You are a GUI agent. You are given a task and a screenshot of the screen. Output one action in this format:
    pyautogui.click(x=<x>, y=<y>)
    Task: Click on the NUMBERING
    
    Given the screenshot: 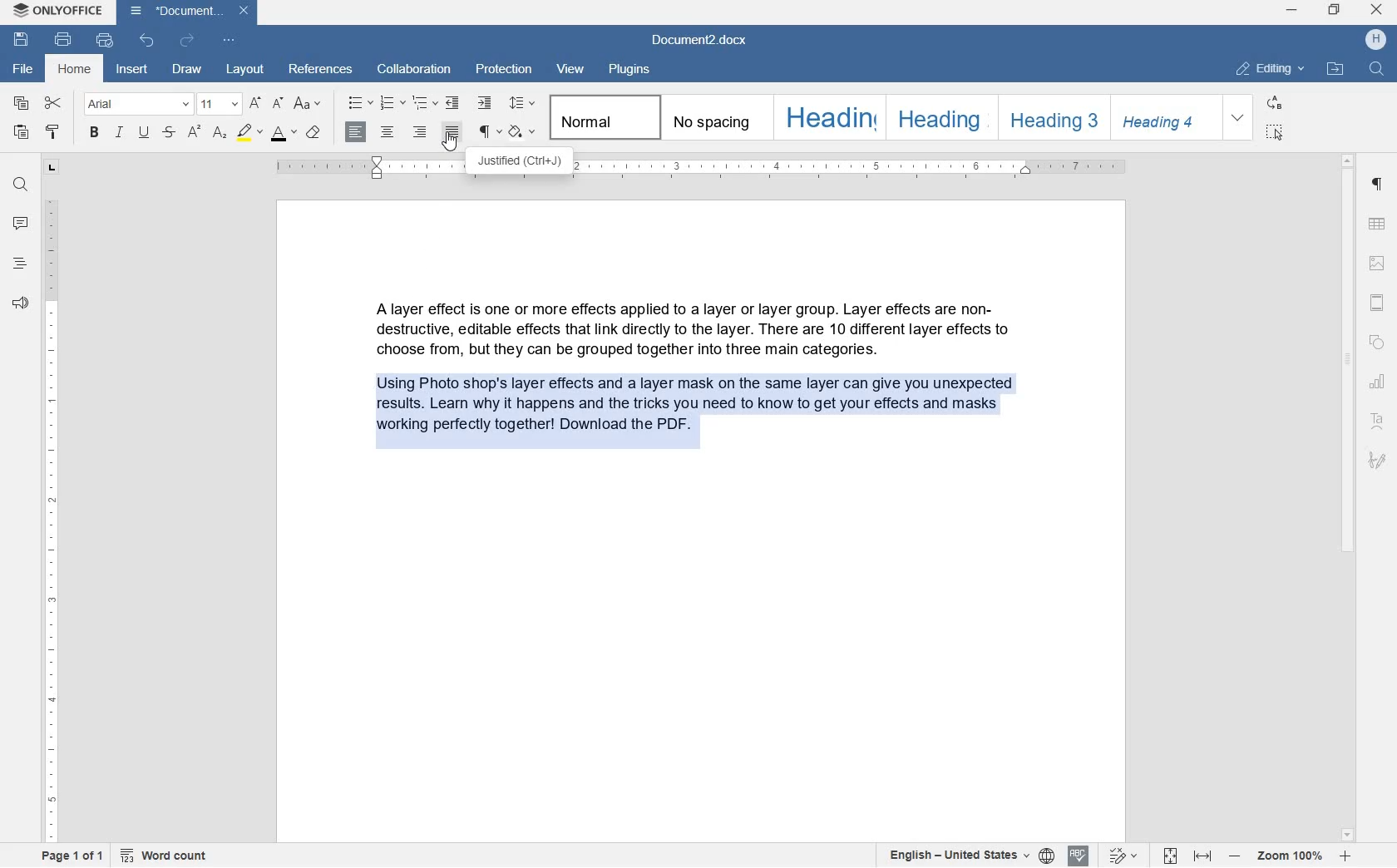 What is the action you would take?
    pyautogui.click(x=393, y=102)
    